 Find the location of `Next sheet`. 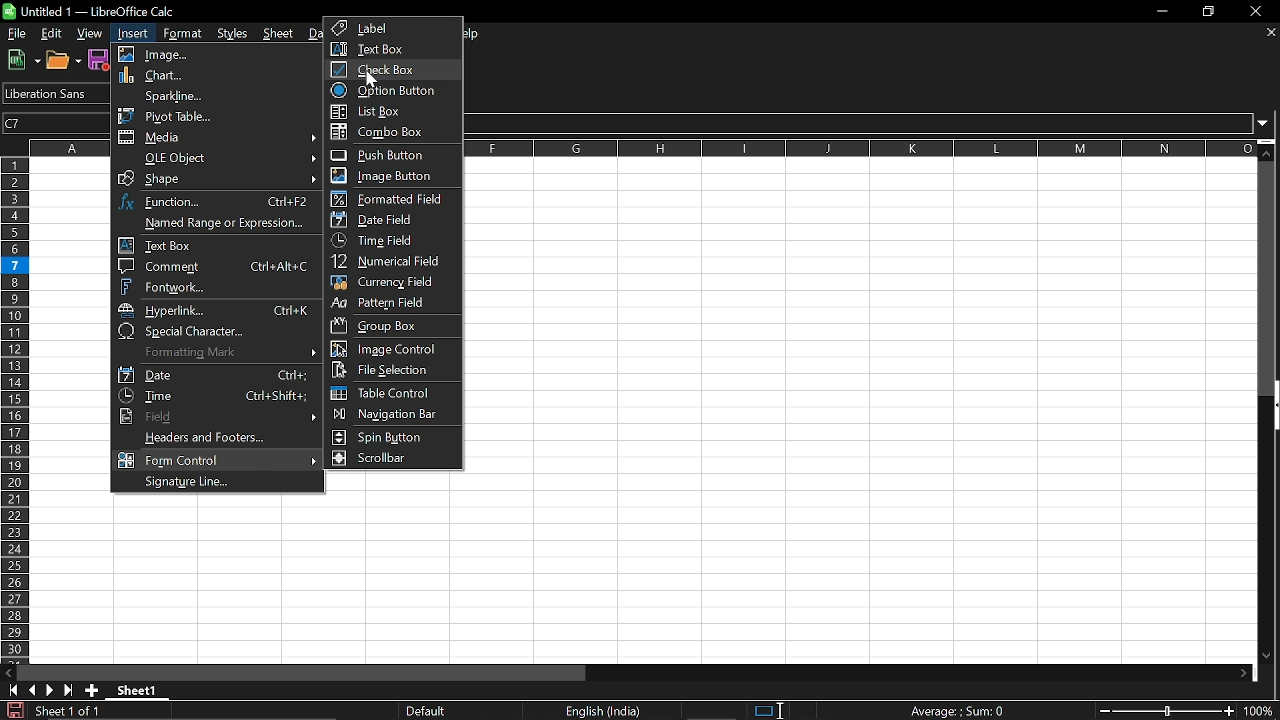

Next sheet is located at coordinates (50, 690).